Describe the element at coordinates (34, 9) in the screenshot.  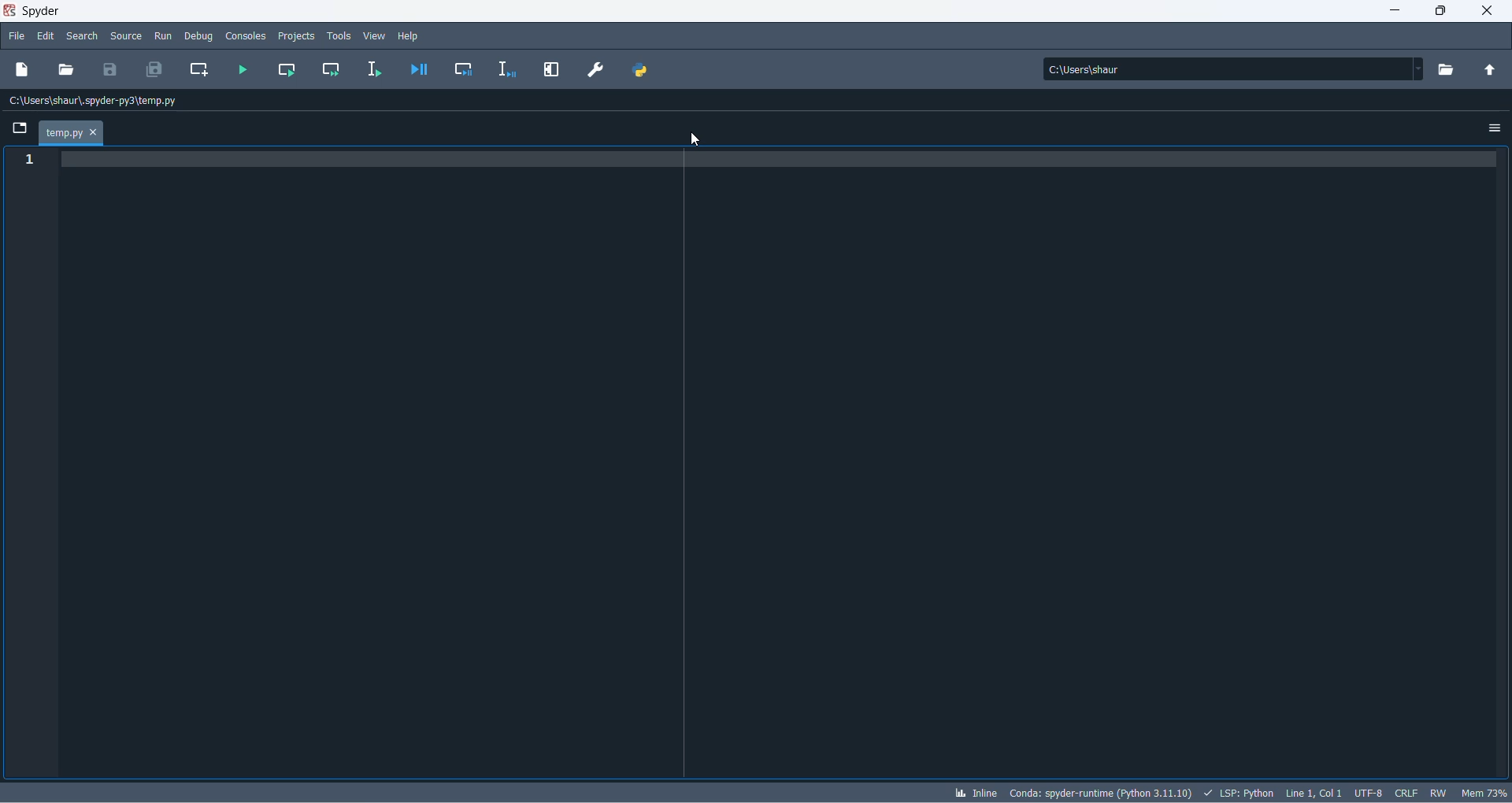
I see `application name` at that location.